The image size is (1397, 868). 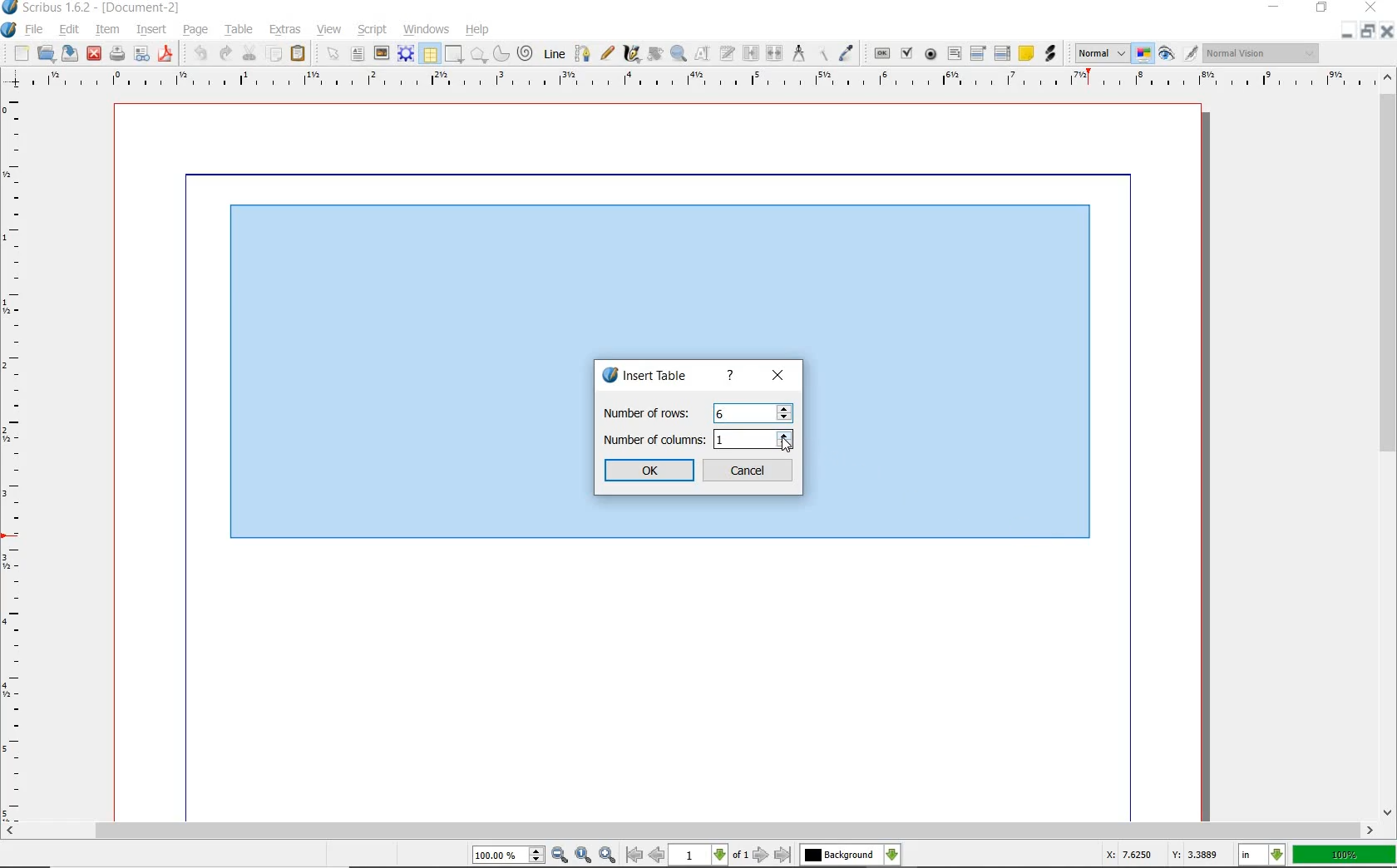 What do you see at coordinates (1264, 856) in the screenshot?
I see `select current unit` at bounding box center [1264, 856].